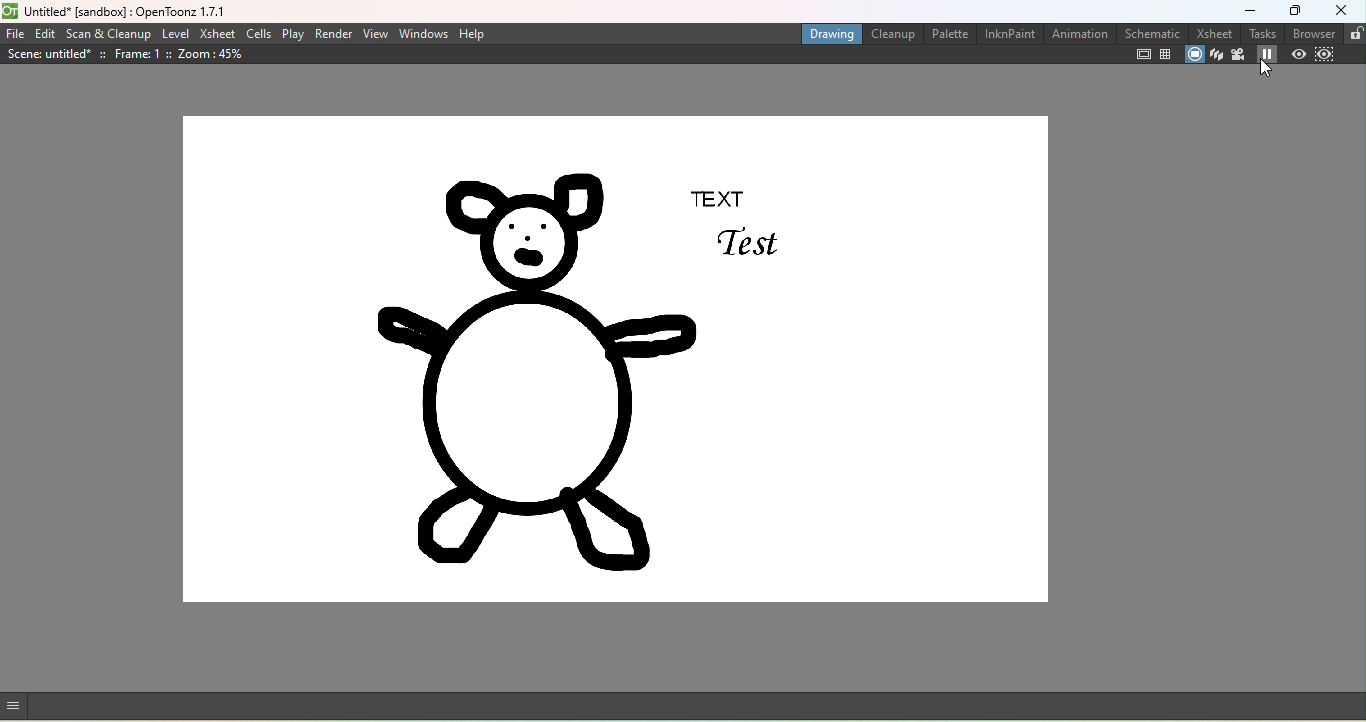 The width and height of the screenshot is (1366, 722). I want to click on Cleanup, so click(892, 34).